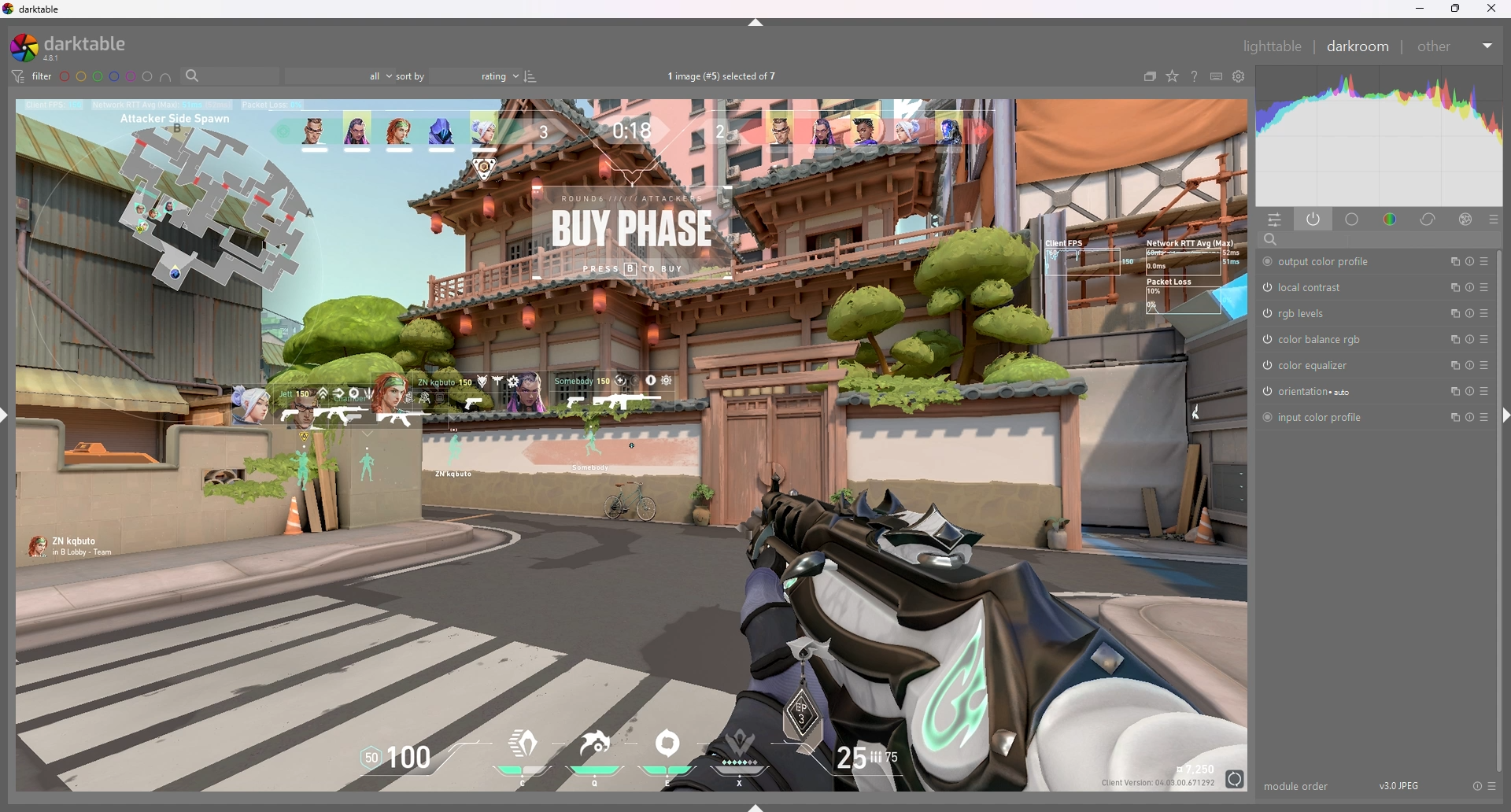 The width and height of the screenshot is (1511, 812). What do you see at coordinates (1494, 220) in the screenshot?
I see `presets` at bounding box center [1494, 220].